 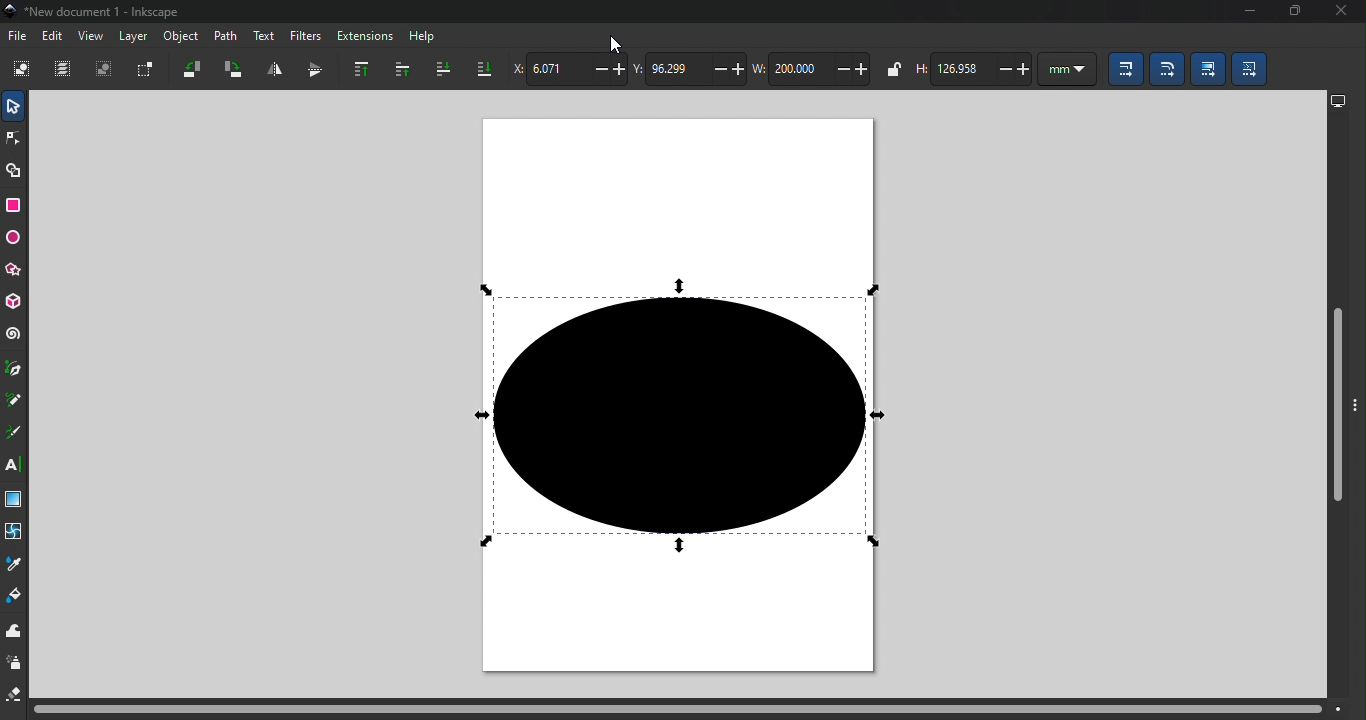 I want to click on Vertical scroll bar, so click(x=1335, y=406).